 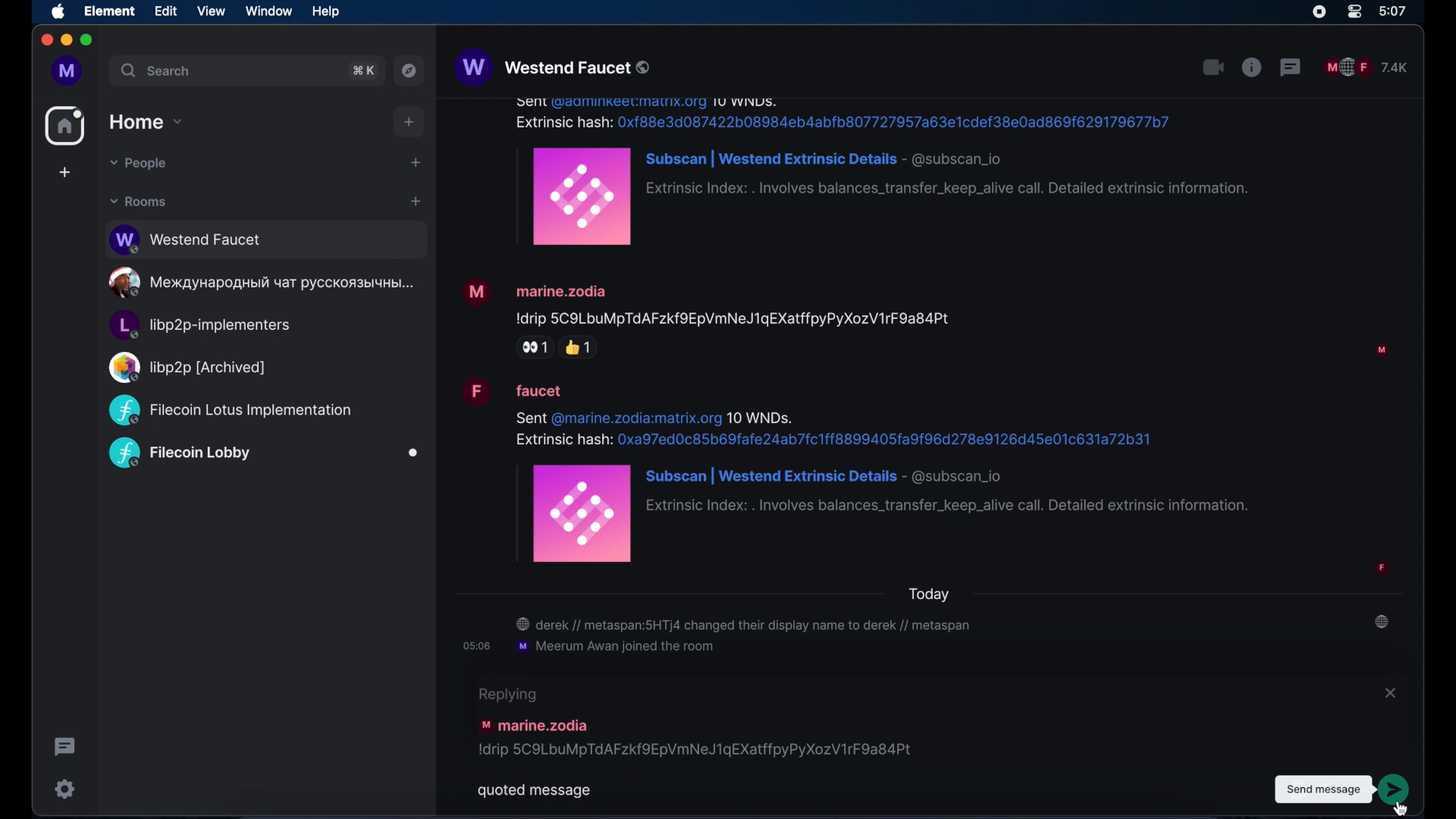 What do you see at coordinates (1381, 122) in the screenshot?
I see `participant profile picture` at bounding box center [1381, 122].